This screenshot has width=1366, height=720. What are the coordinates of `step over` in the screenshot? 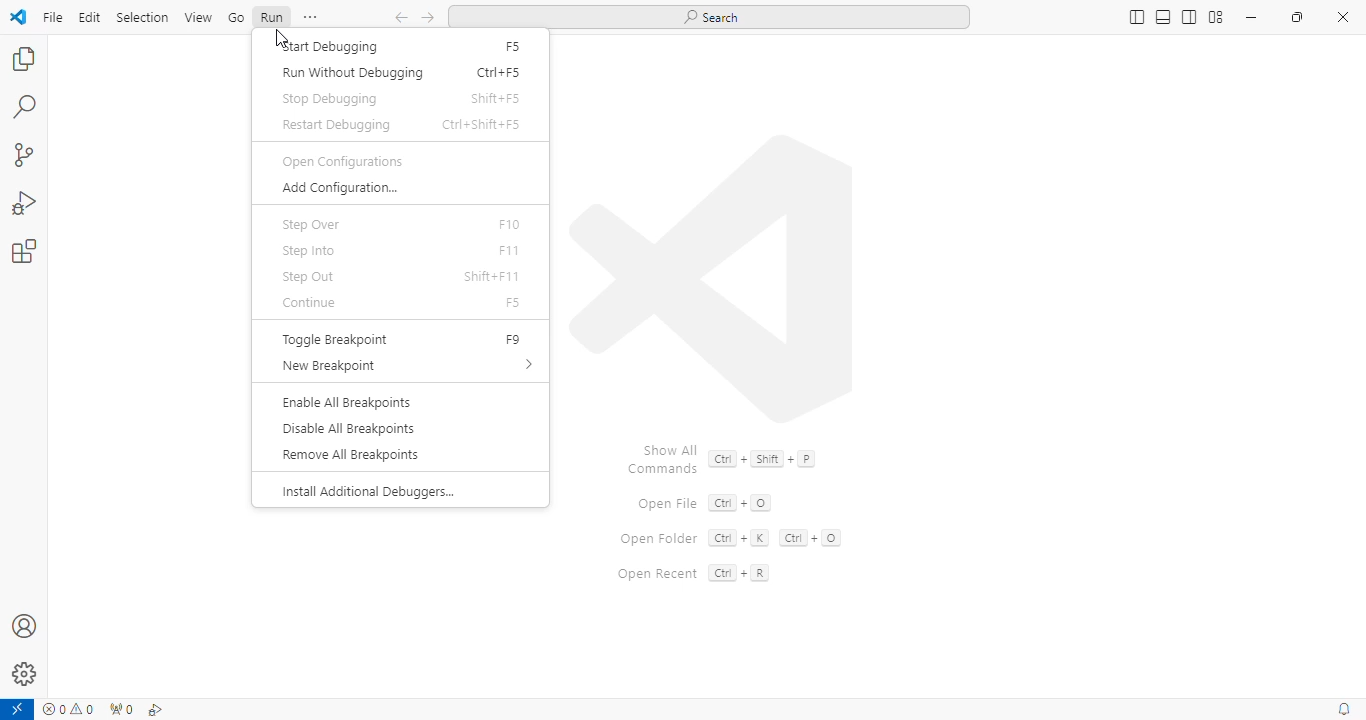 It's located at (310, 224).